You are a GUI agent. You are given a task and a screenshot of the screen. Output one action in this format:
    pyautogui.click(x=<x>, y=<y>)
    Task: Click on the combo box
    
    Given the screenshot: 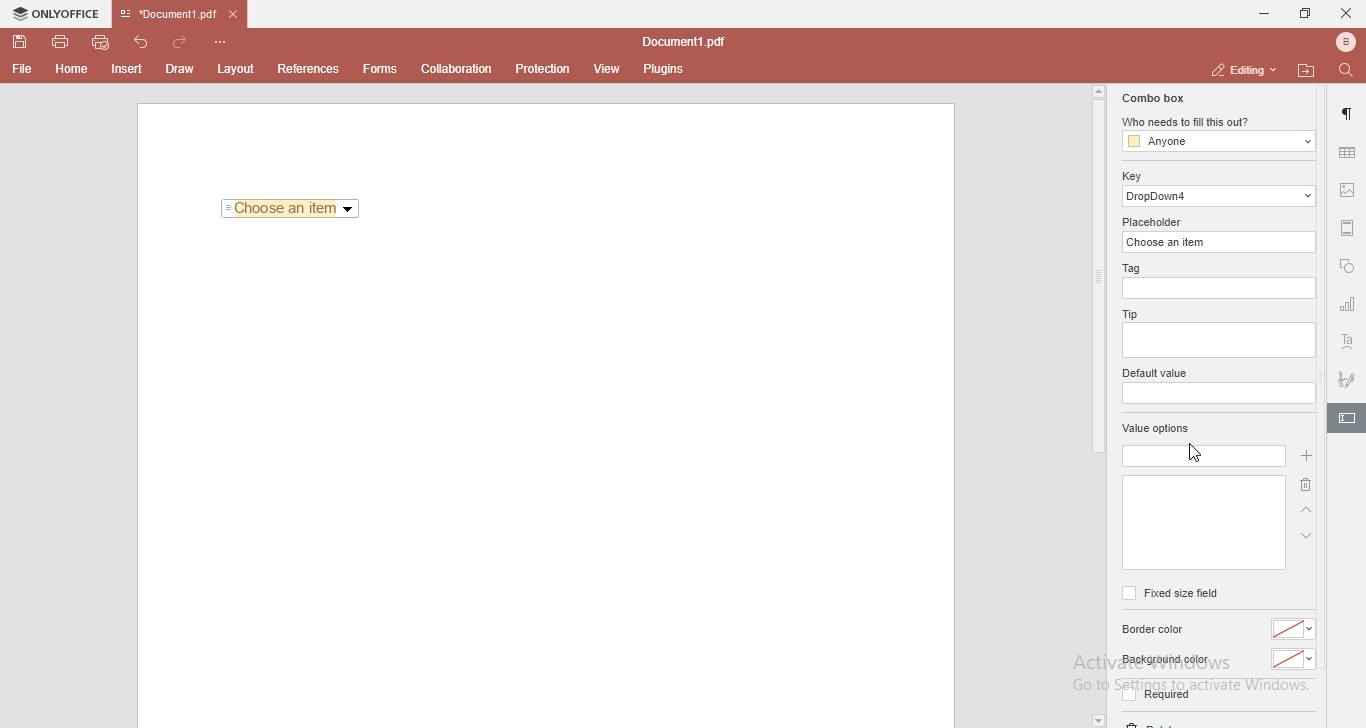 What is the action you would take?
    pyautogui.click(x=1151, y=98)
    